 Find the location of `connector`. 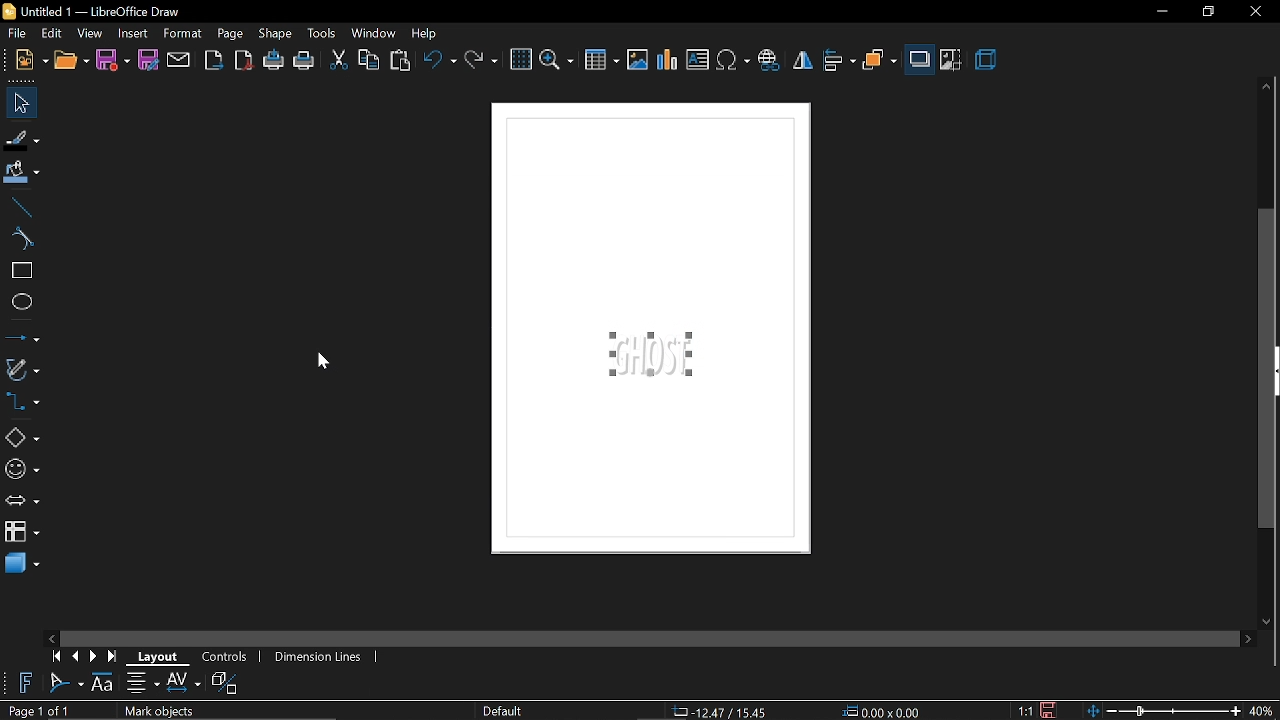

connector is located at coordinates (23, 402).